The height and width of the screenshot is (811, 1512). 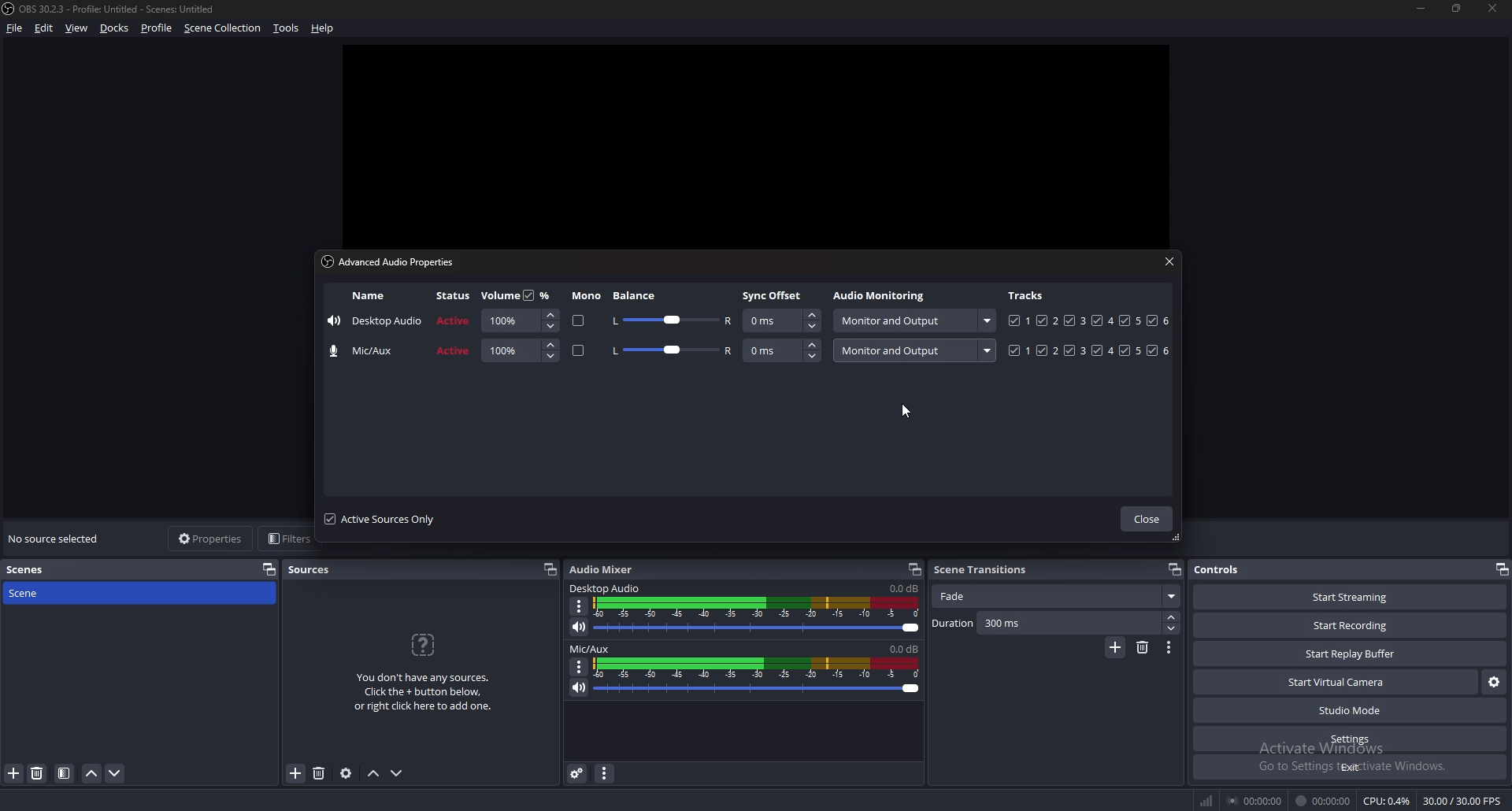 What do you see at coordinates (347, 772) in the screenshot?
I see `source properties` at bounding box center [347, 772].